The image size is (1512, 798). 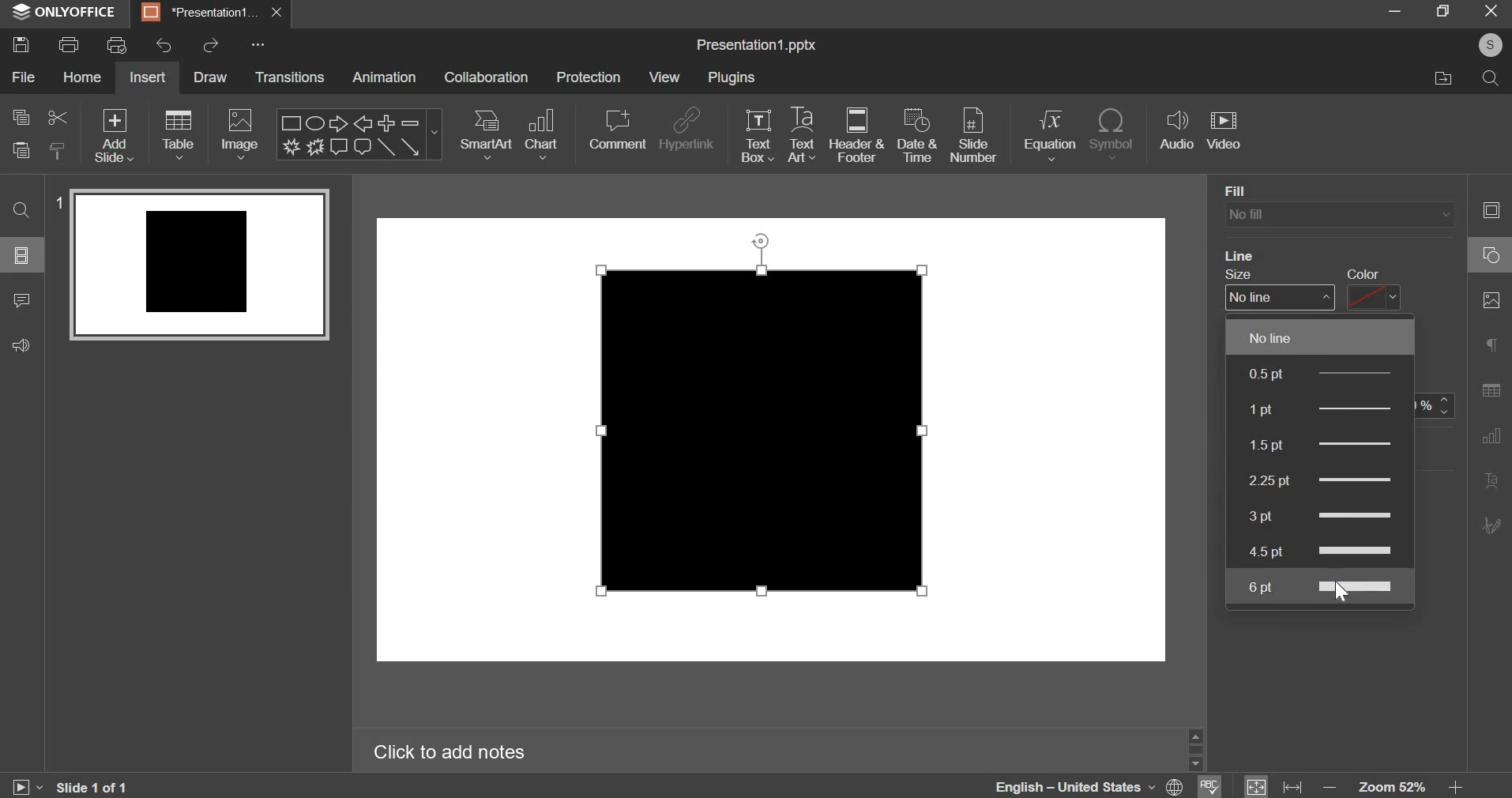 I want to click on Circle, so click(x=1488, y=257).